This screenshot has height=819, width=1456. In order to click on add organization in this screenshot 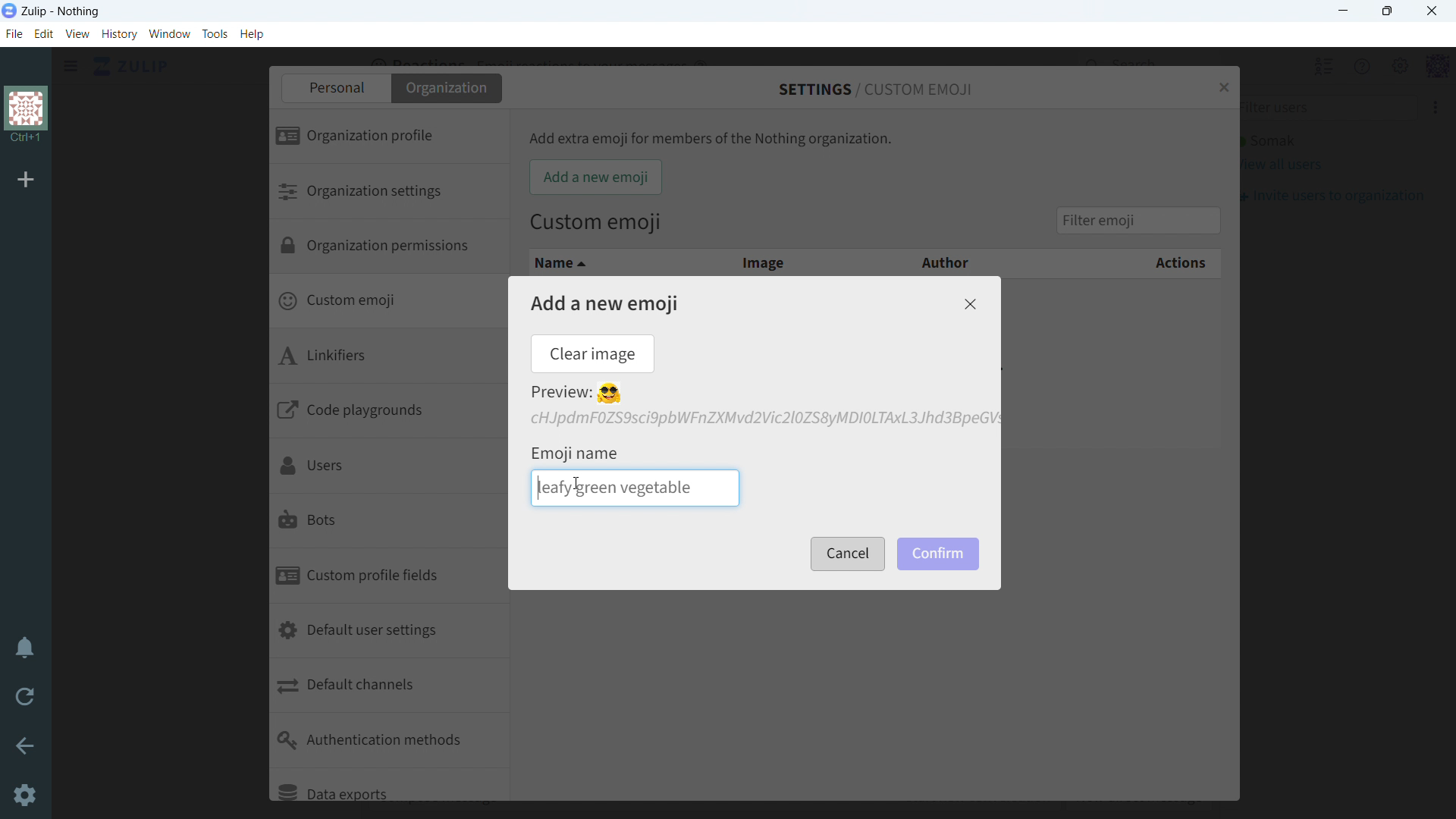, I will do `click(27, 180)`.